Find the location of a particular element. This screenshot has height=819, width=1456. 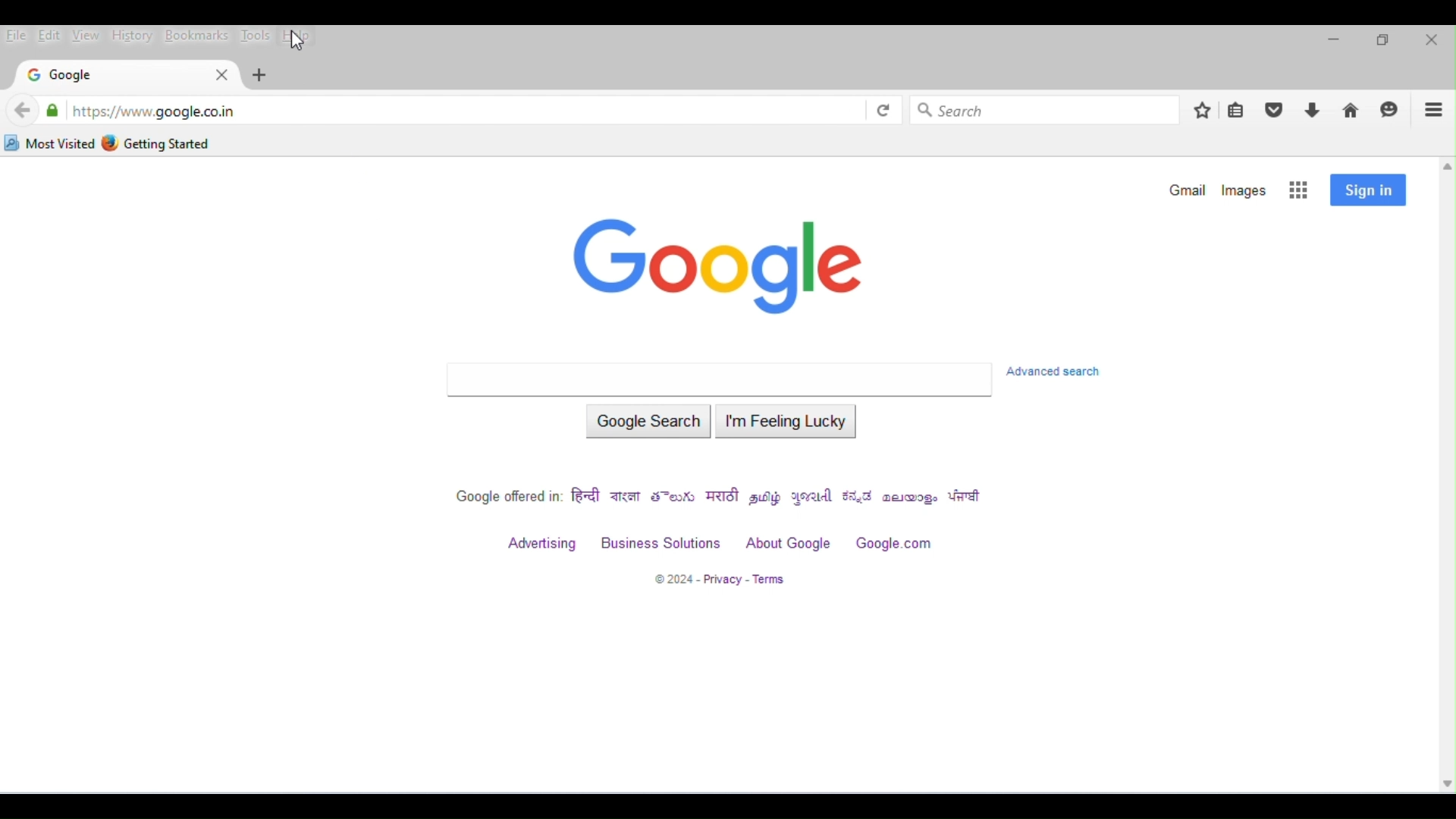

file is located at coordinates (17, 37).